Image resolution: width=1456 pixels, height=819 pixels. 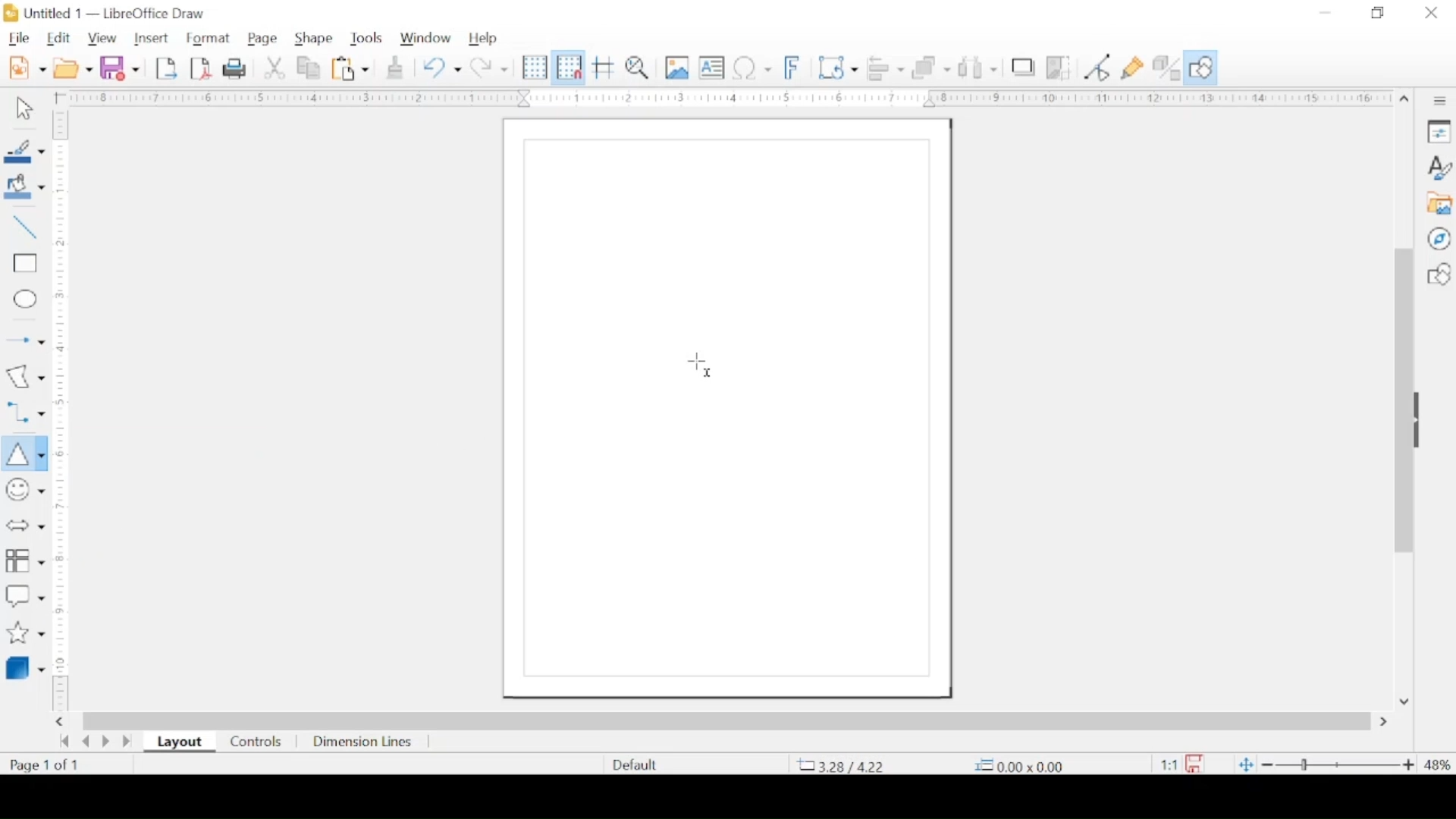 I want to click on coordinate, so click(x=842, y=765).